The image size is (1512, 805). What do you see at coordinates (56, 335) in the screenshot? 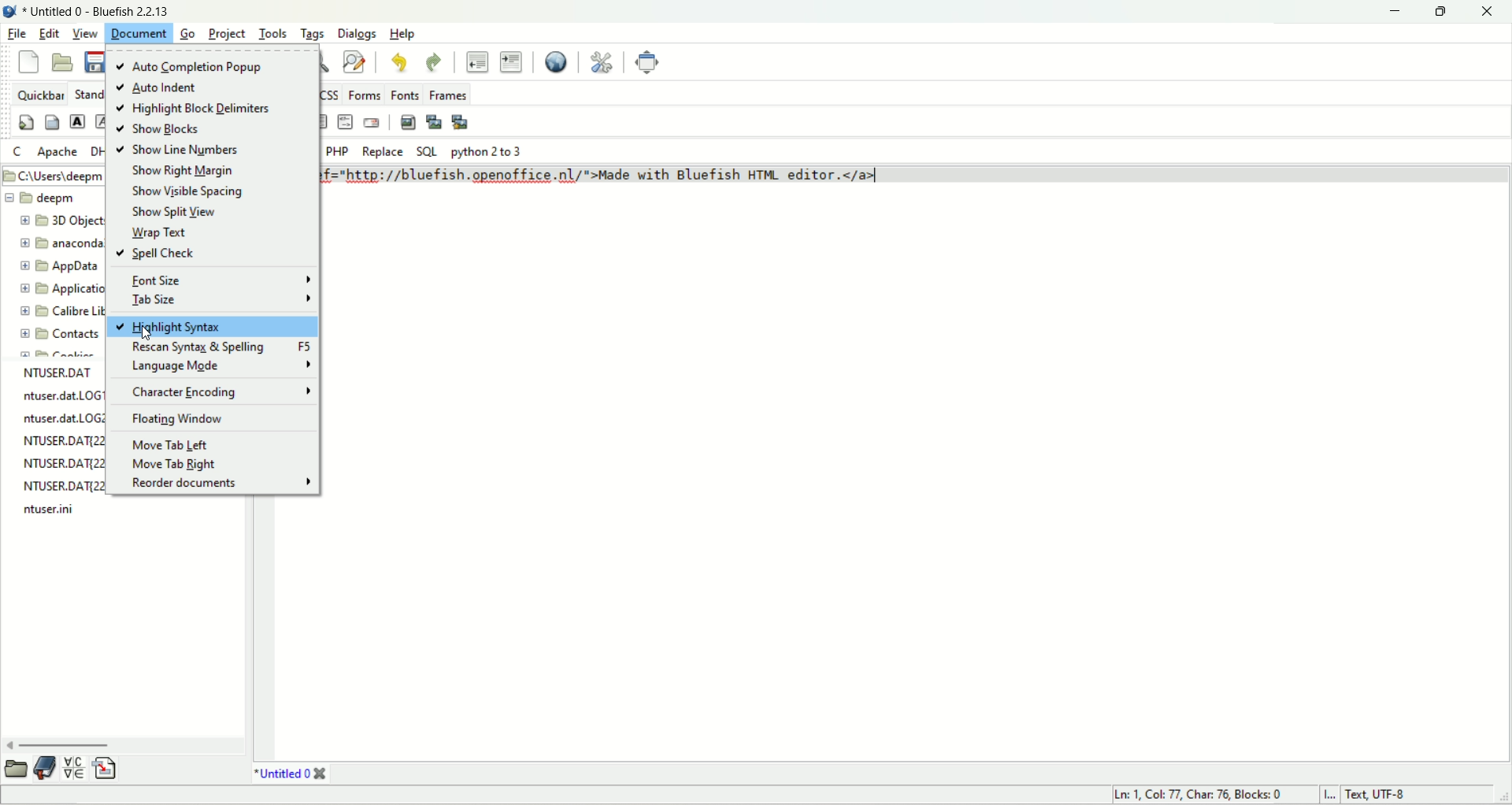
I see `contacts` at bounding box center [56, 335].